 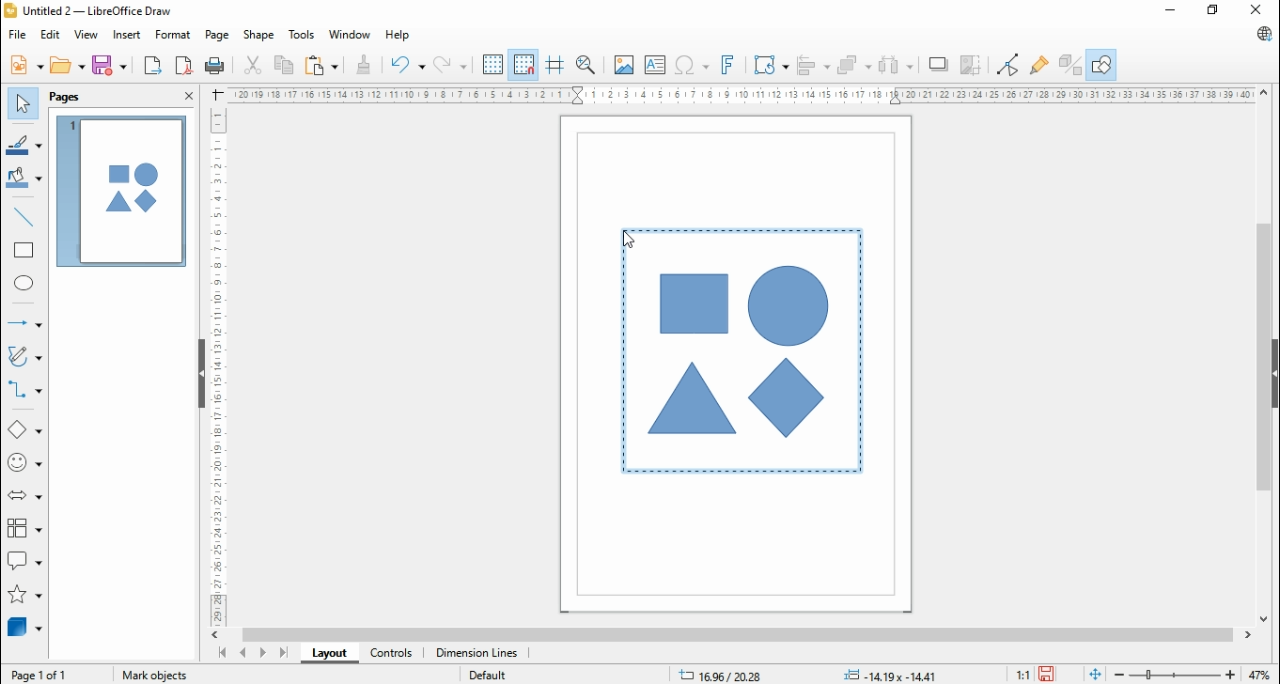 What do you see at coordinates (220, 653) in the screenshot?
I see `first page` at bounding box center [220, 653].